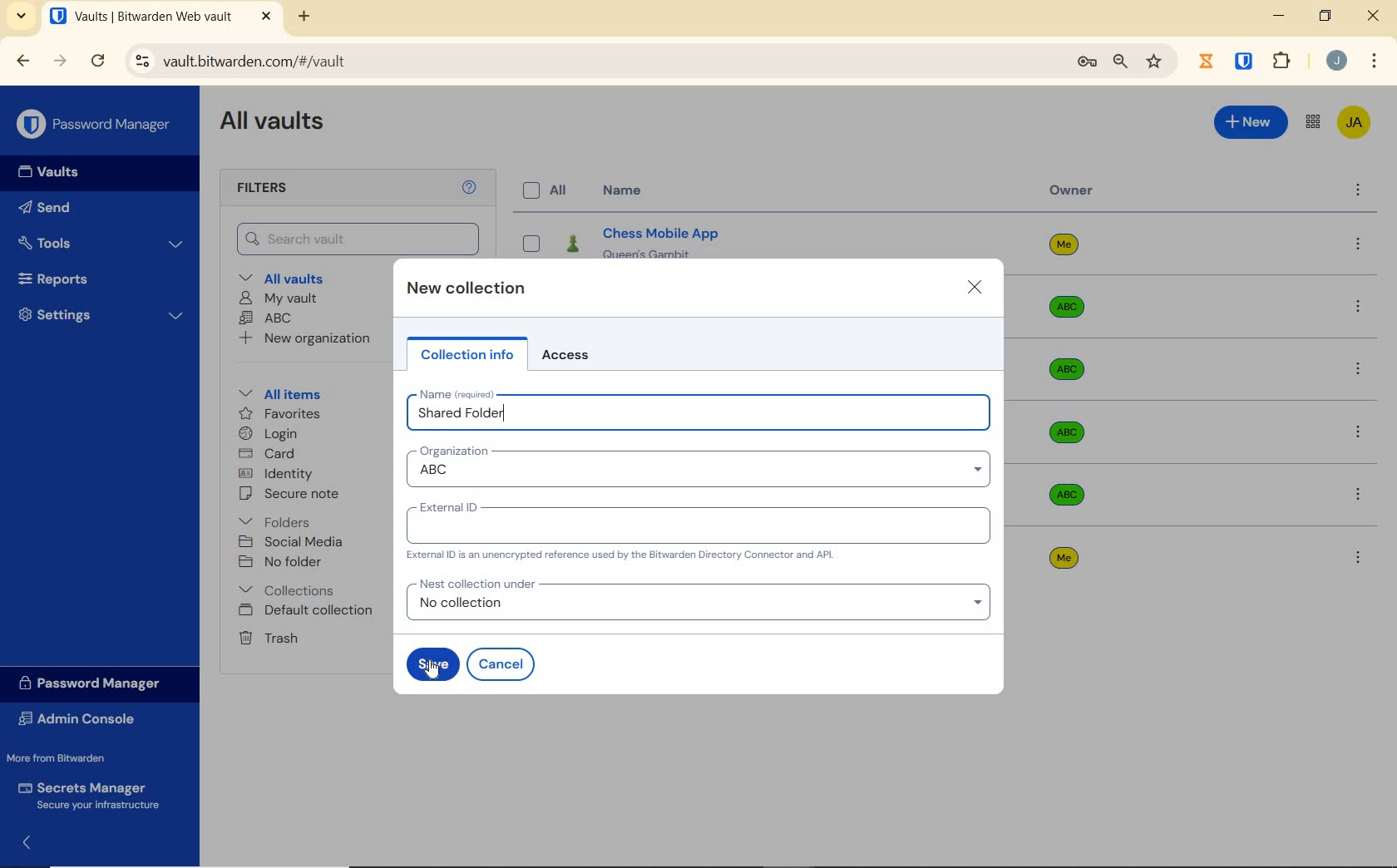 The image size is (1397, 868). I want to click on new tab, so click(304, 18).